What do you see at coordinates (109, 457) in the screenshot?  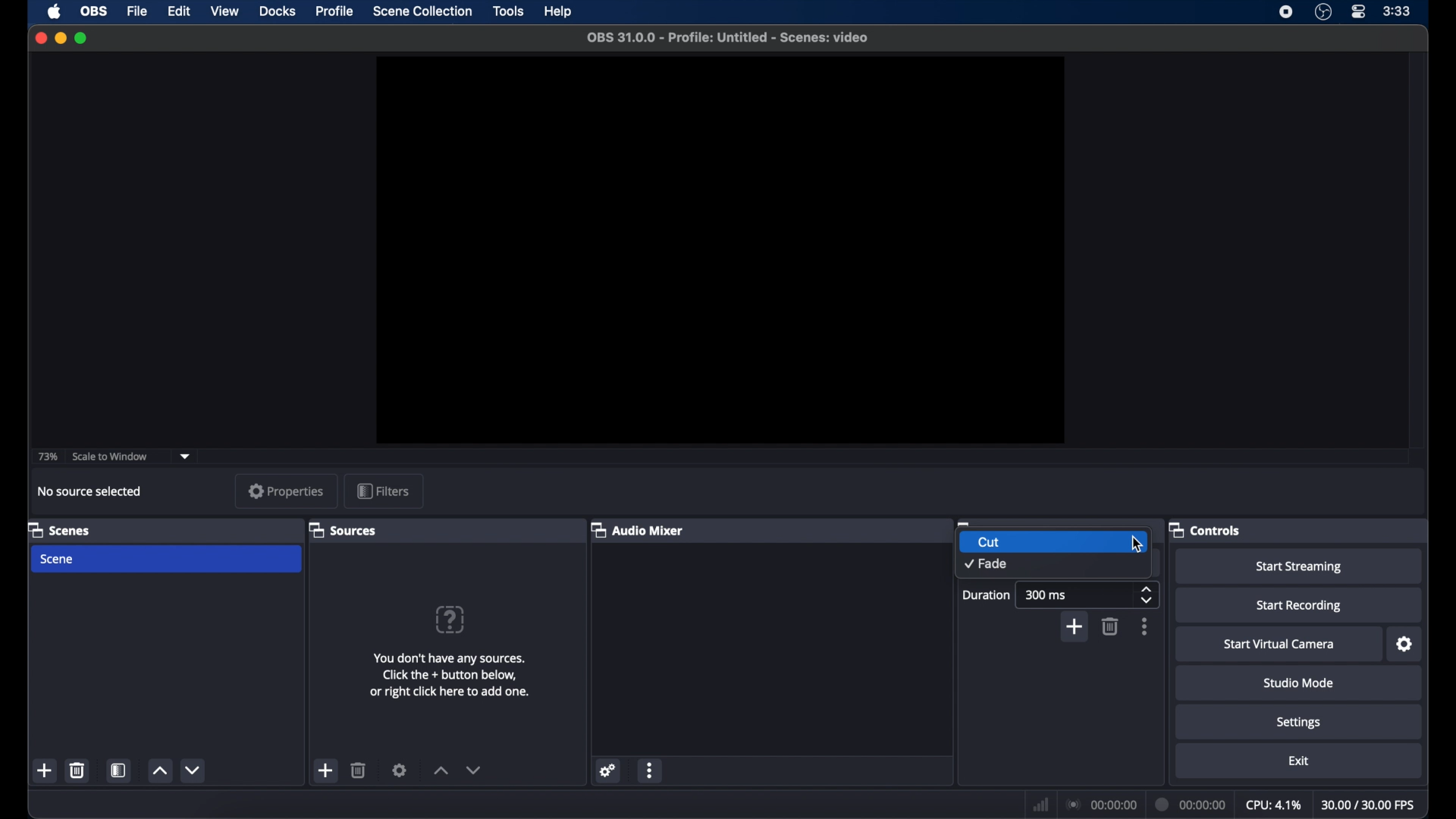 I see `scale to window` at bounding box center [109, 457].